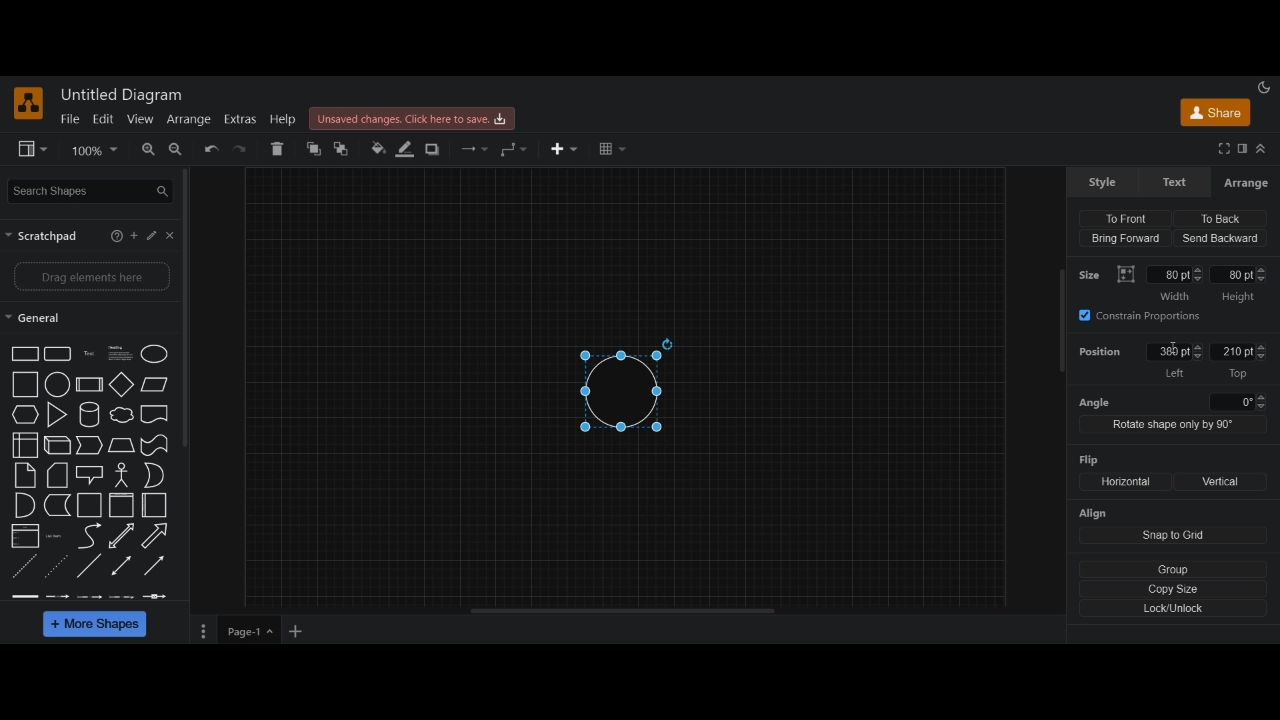  Describe the element at coordinates (1175, 588) in the screenshot. I see `copy size` at that location.